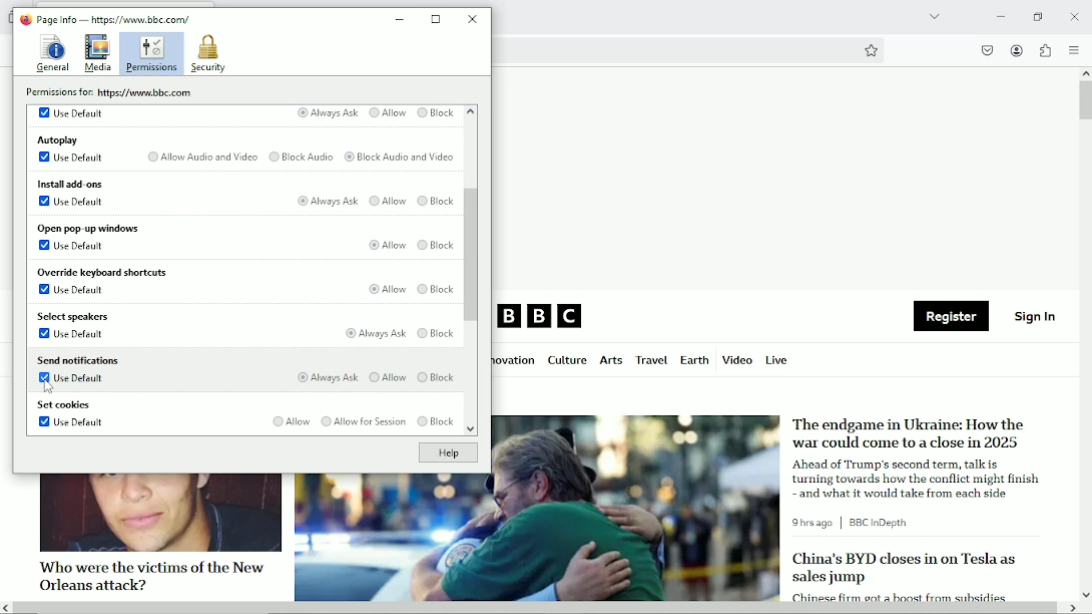 The width and height of the screenshot is (1092, 614). I want to click on Who were the victims of the New Orleans attack?, so click(149, 575).